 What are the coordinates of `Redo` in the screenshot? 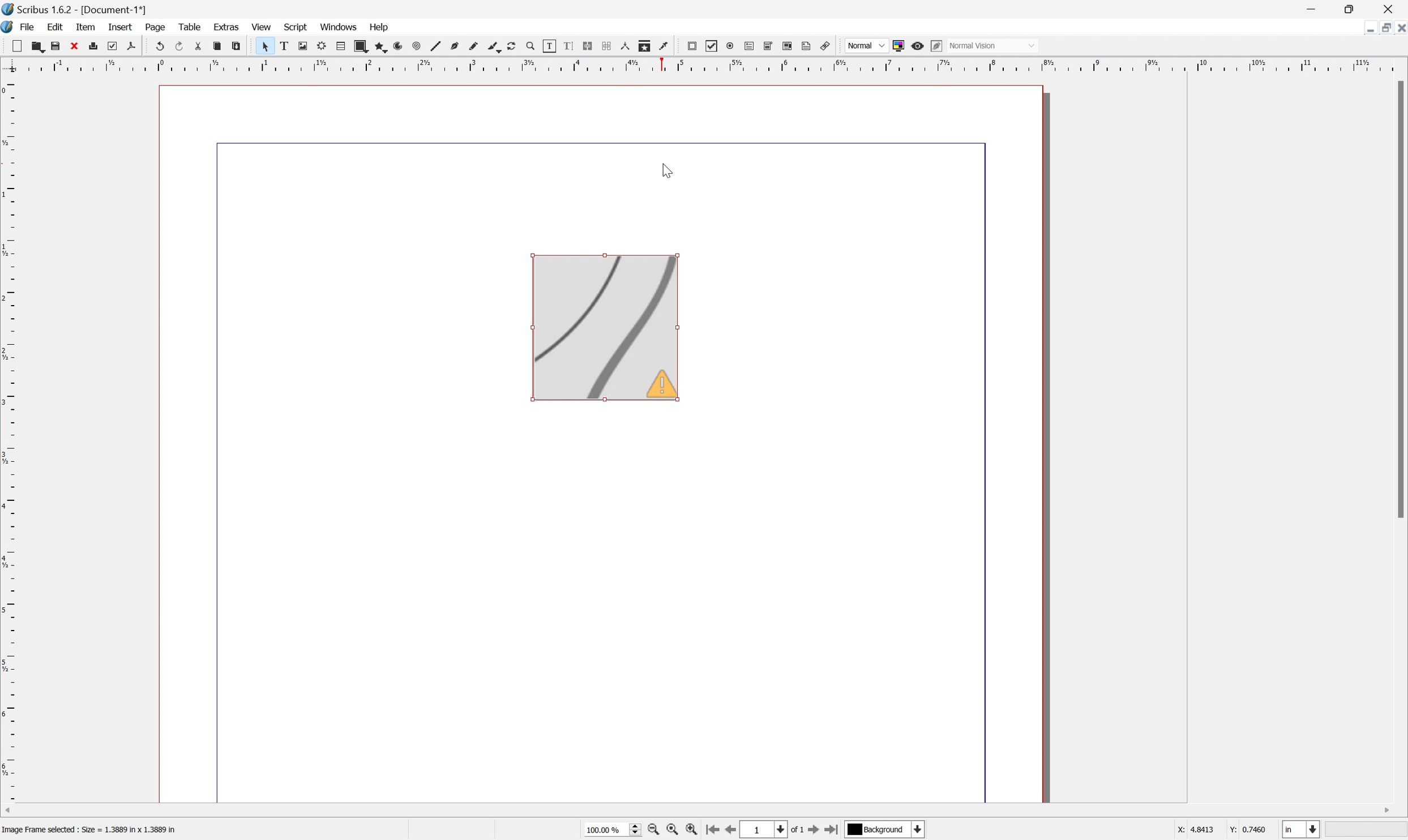 It's located at (183, 47).